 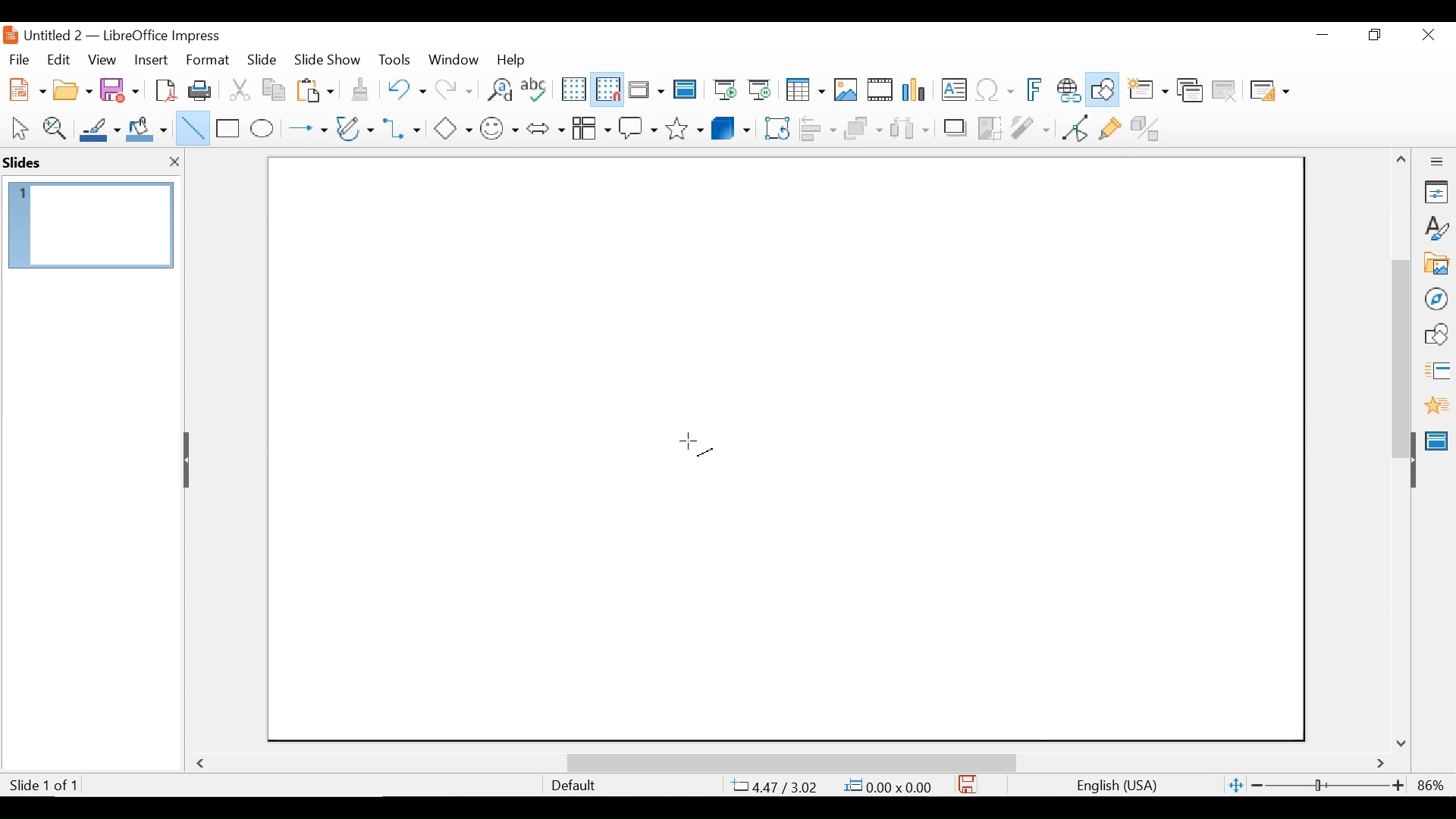 What do you see at coordinates (1036, 90) in the screenshot?
I see `Insert Frontwork` at bounding box center [1036, 90].